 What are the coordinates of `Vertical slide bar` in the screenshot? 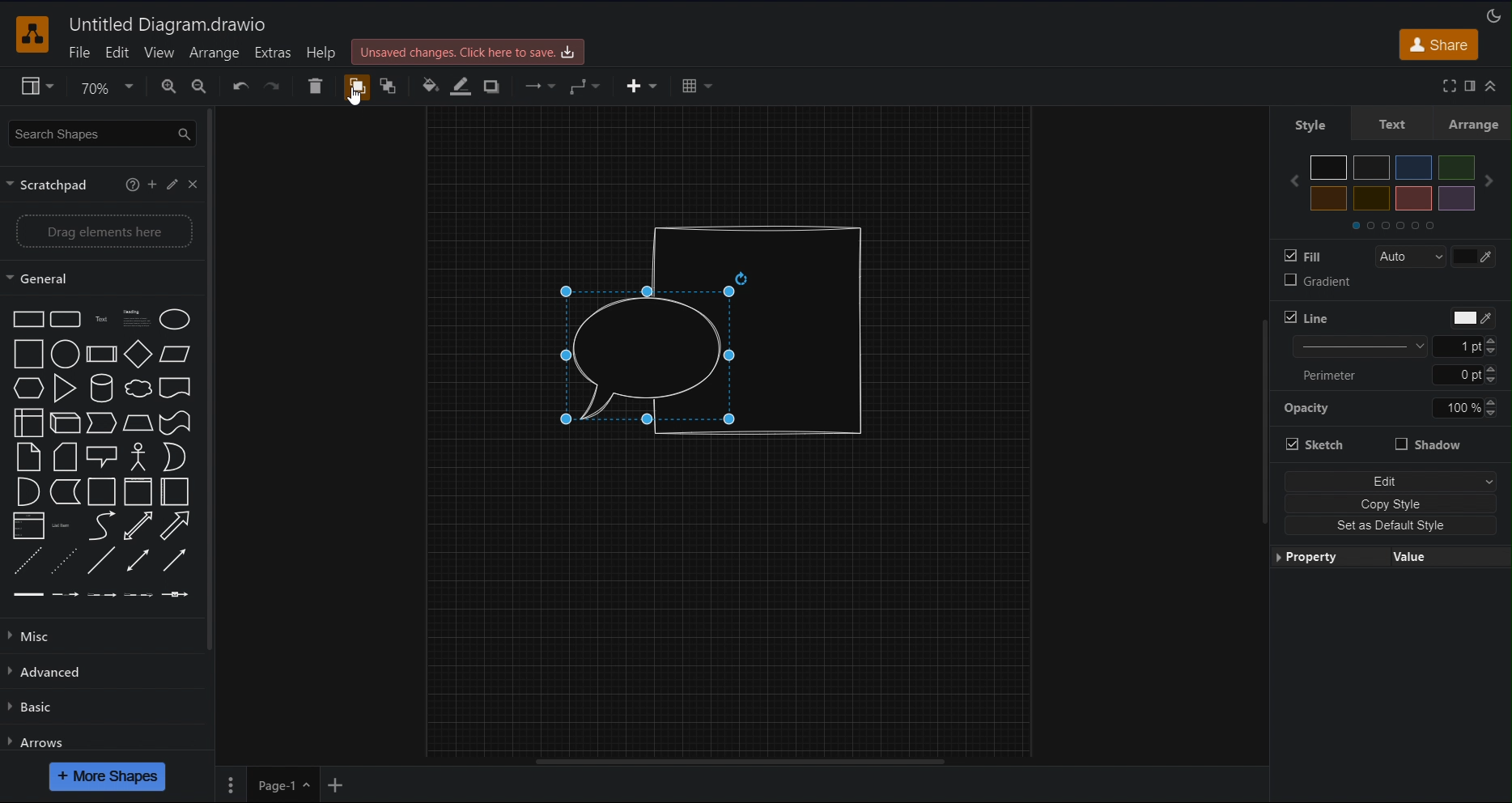 It's located at (1264, 423).